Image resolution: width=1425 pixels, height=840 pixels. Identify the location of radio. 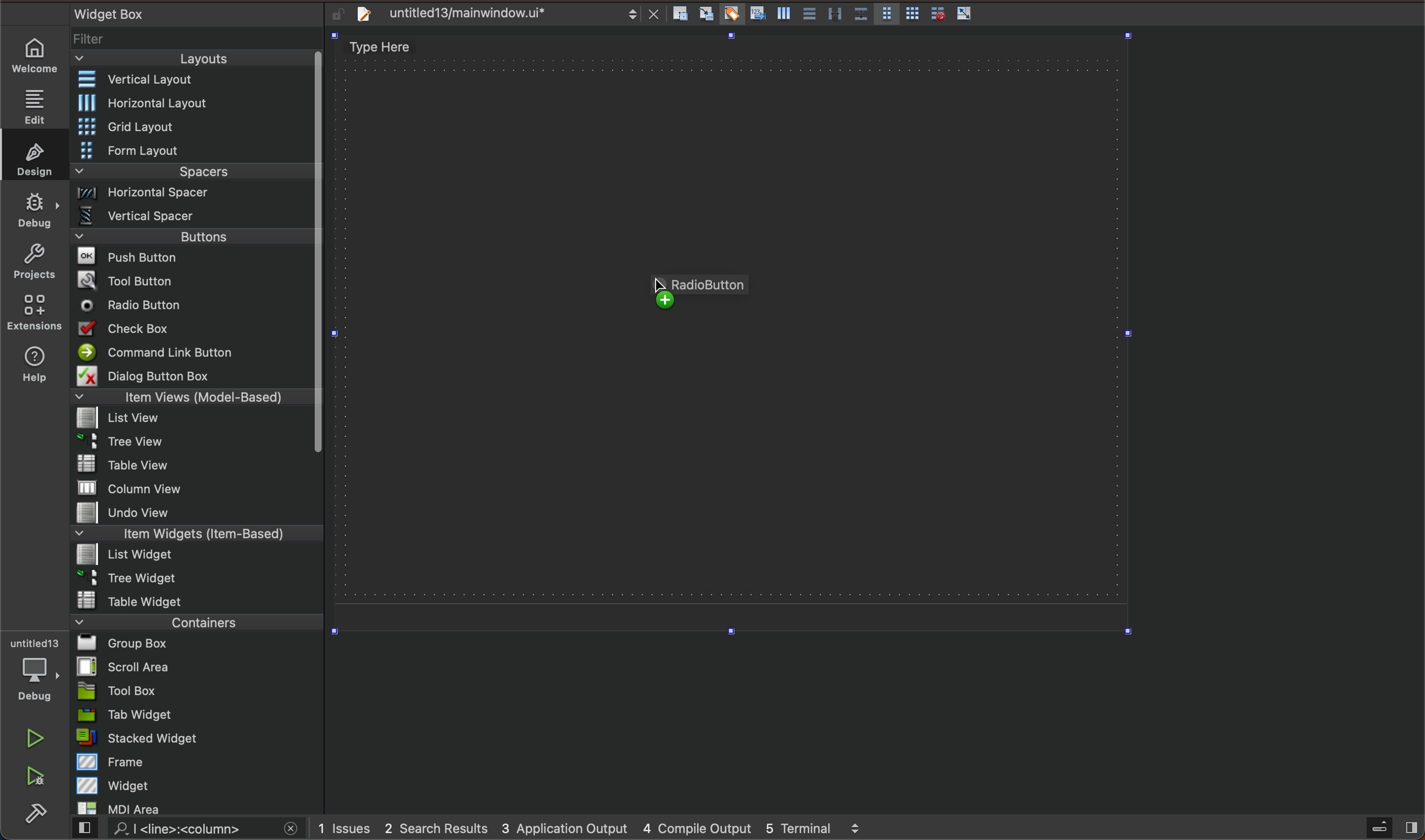
(192, 306).